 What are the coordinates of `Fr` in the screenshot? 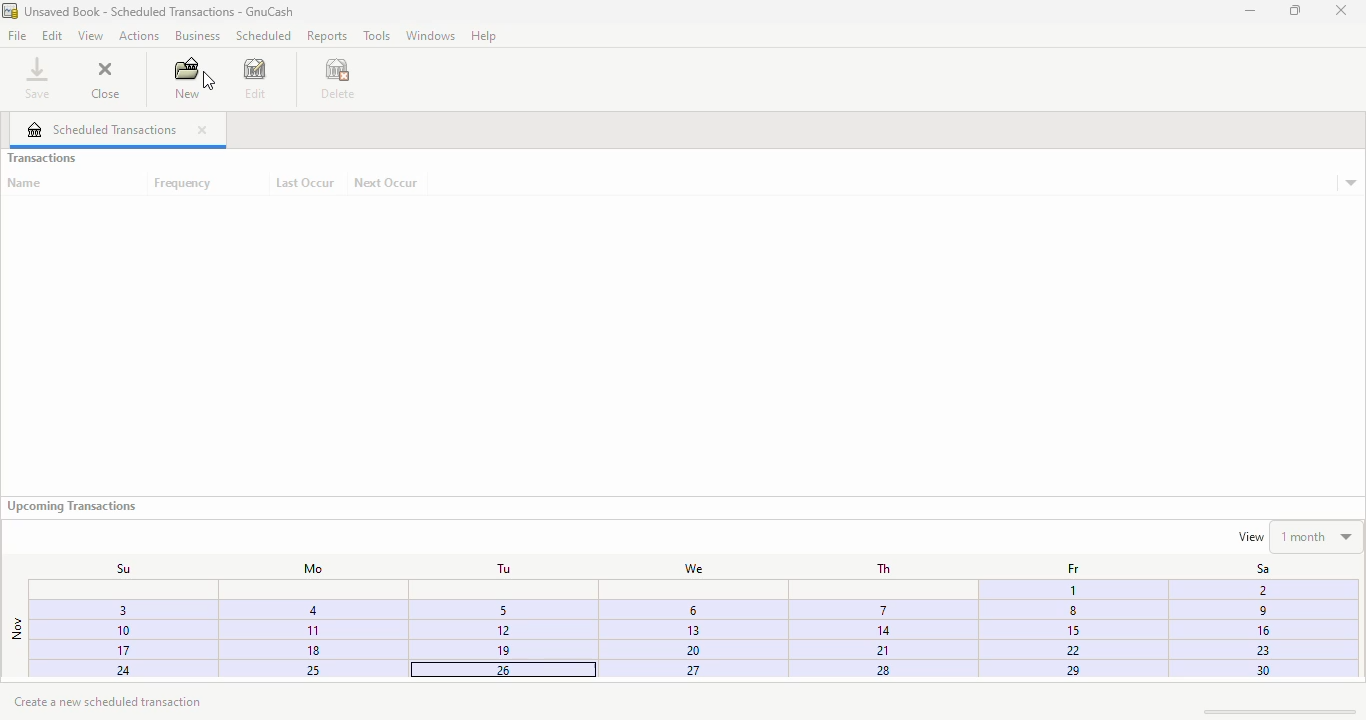 It's located at (1069, 569).